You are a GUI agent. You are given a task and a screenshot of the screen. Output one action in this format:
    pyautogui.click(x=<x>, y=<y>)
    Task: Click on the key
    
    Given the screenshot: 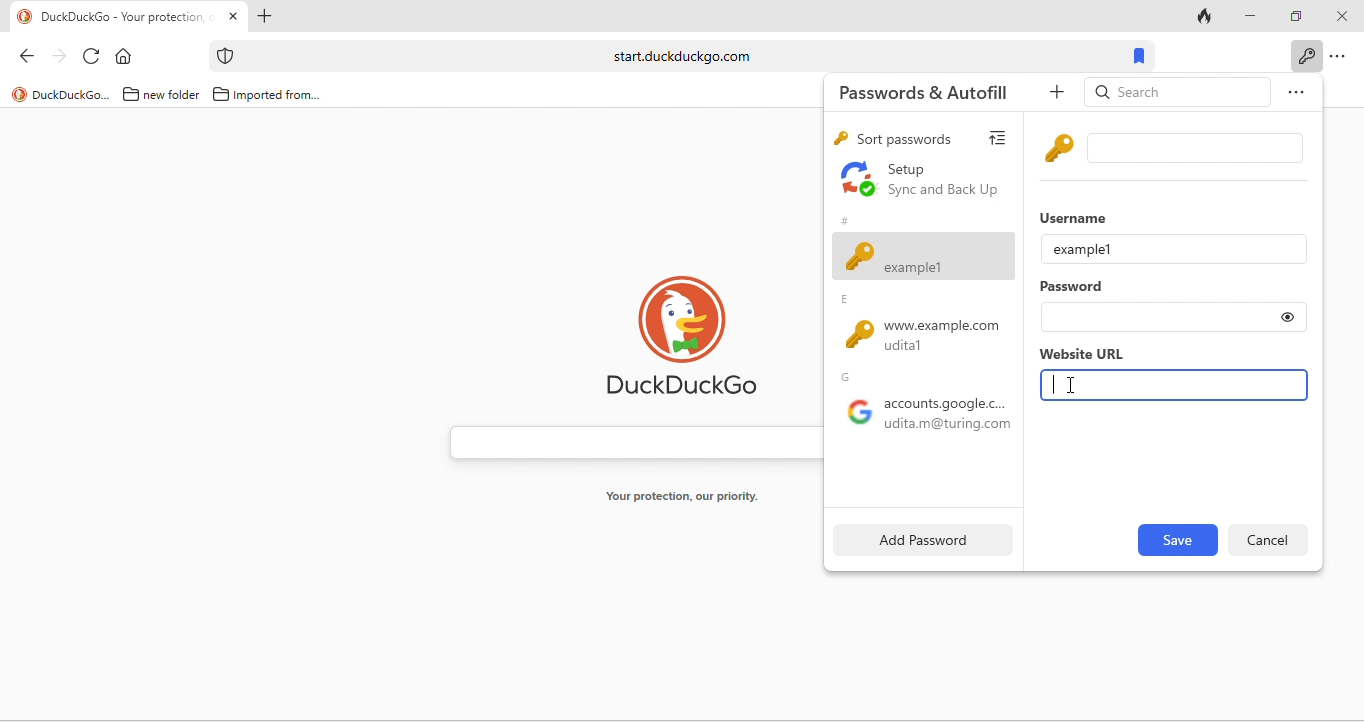 What is the action you would take?
    pyautogui.click(x=839, y=140)
    